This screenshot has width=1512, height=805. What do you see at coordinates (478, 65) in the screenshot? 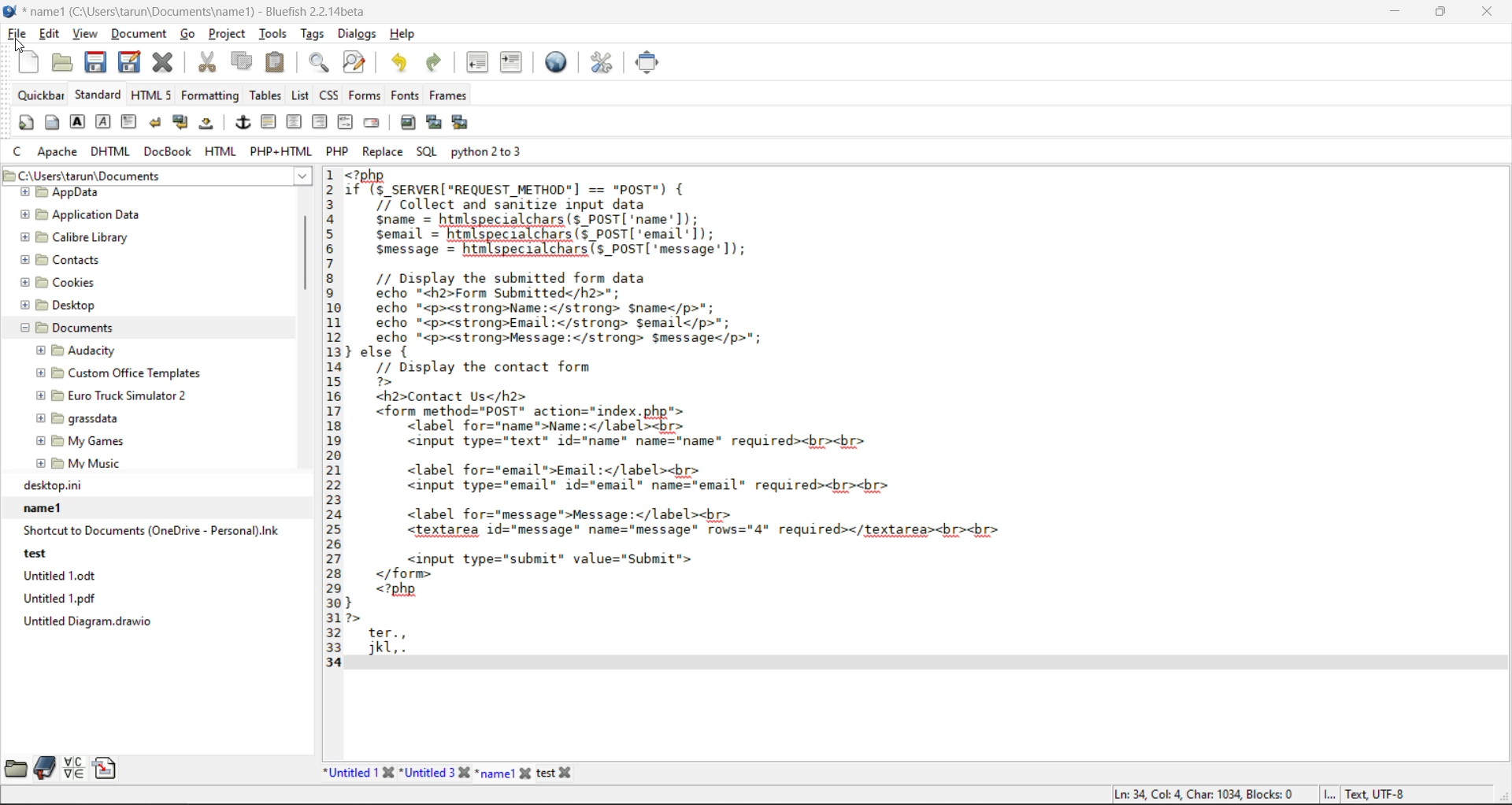
I see `unindent` at bounding box center [478, 65].